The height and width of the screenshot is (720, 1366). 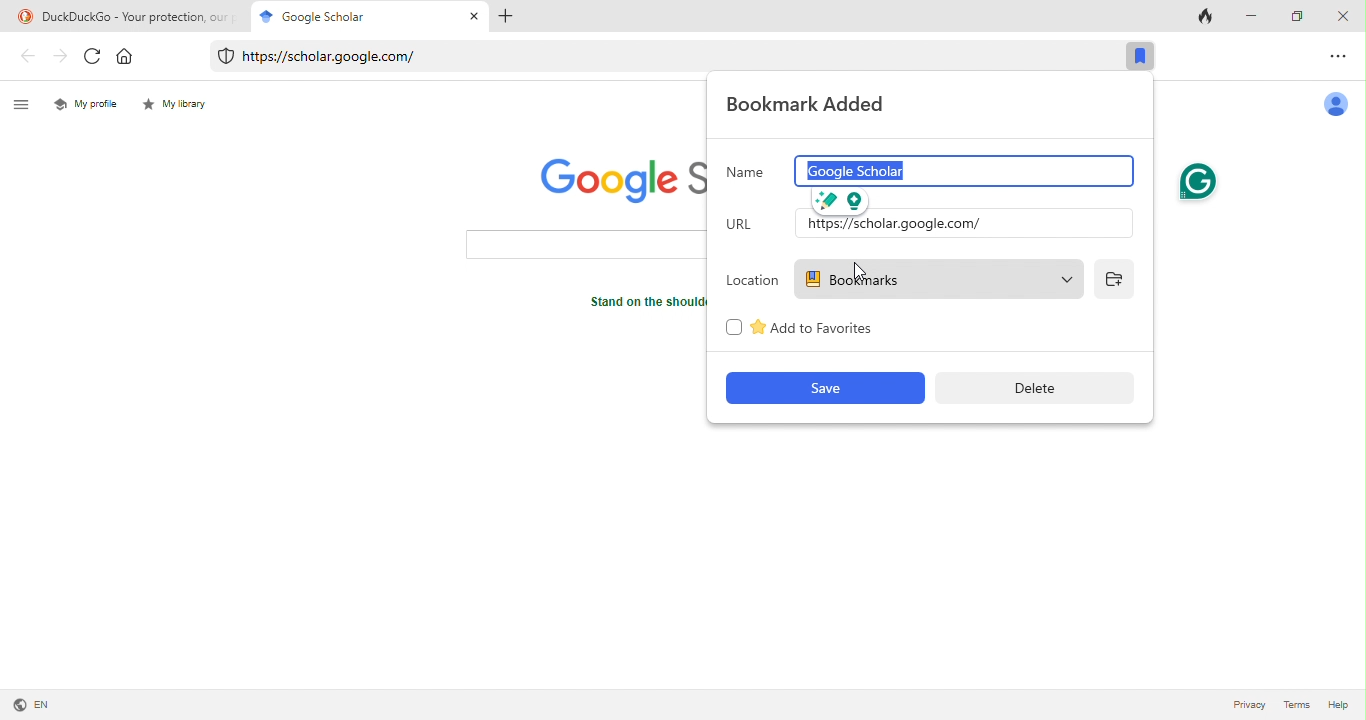 I want to click on back, so click(x=24, y=56).